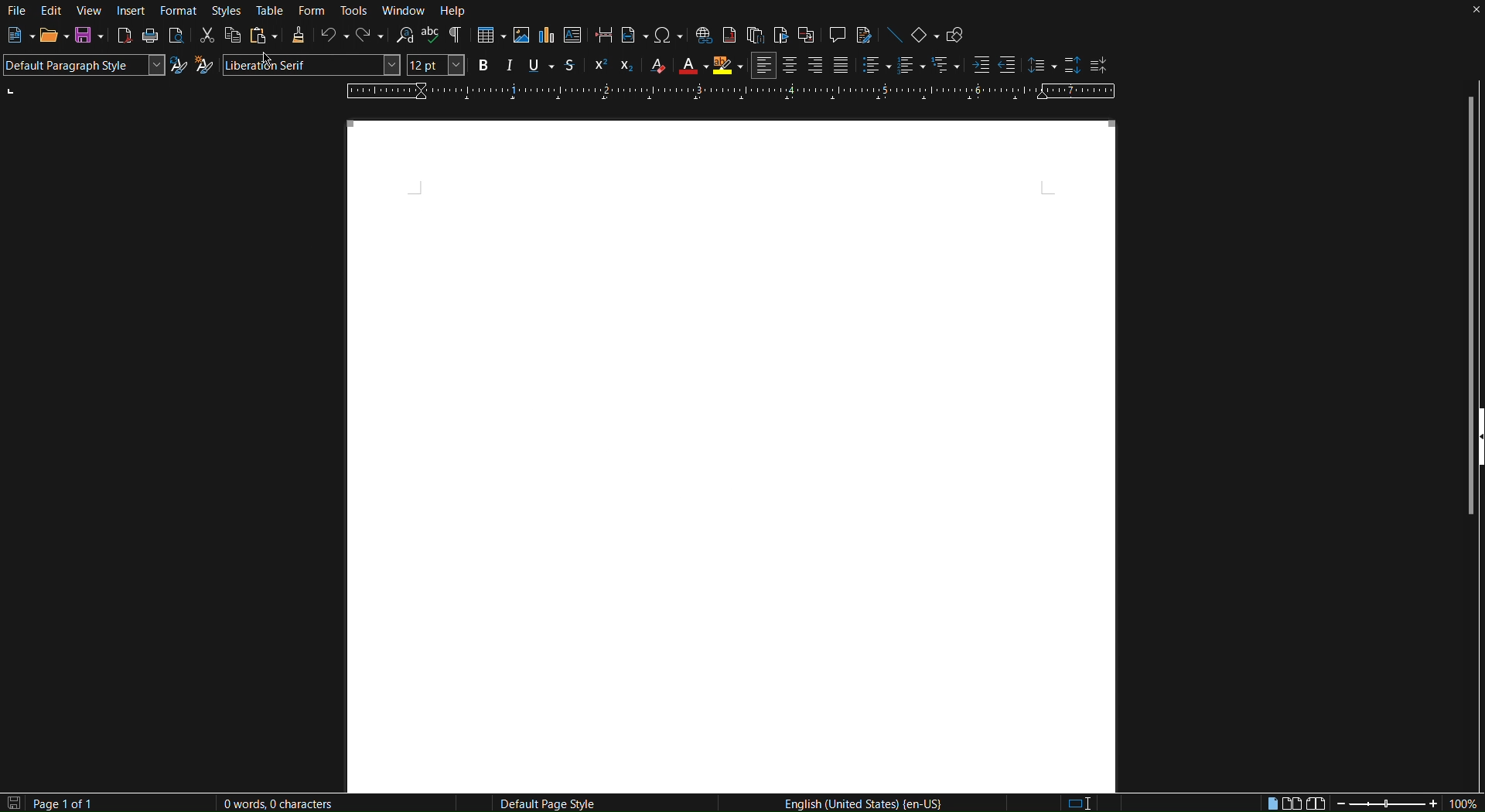 This screenshot has height=812, width=1485. What do you see at coordinates (1384, 804) in the screenshot?
I see `Zoom slider` at bounding box center [1384, 804].